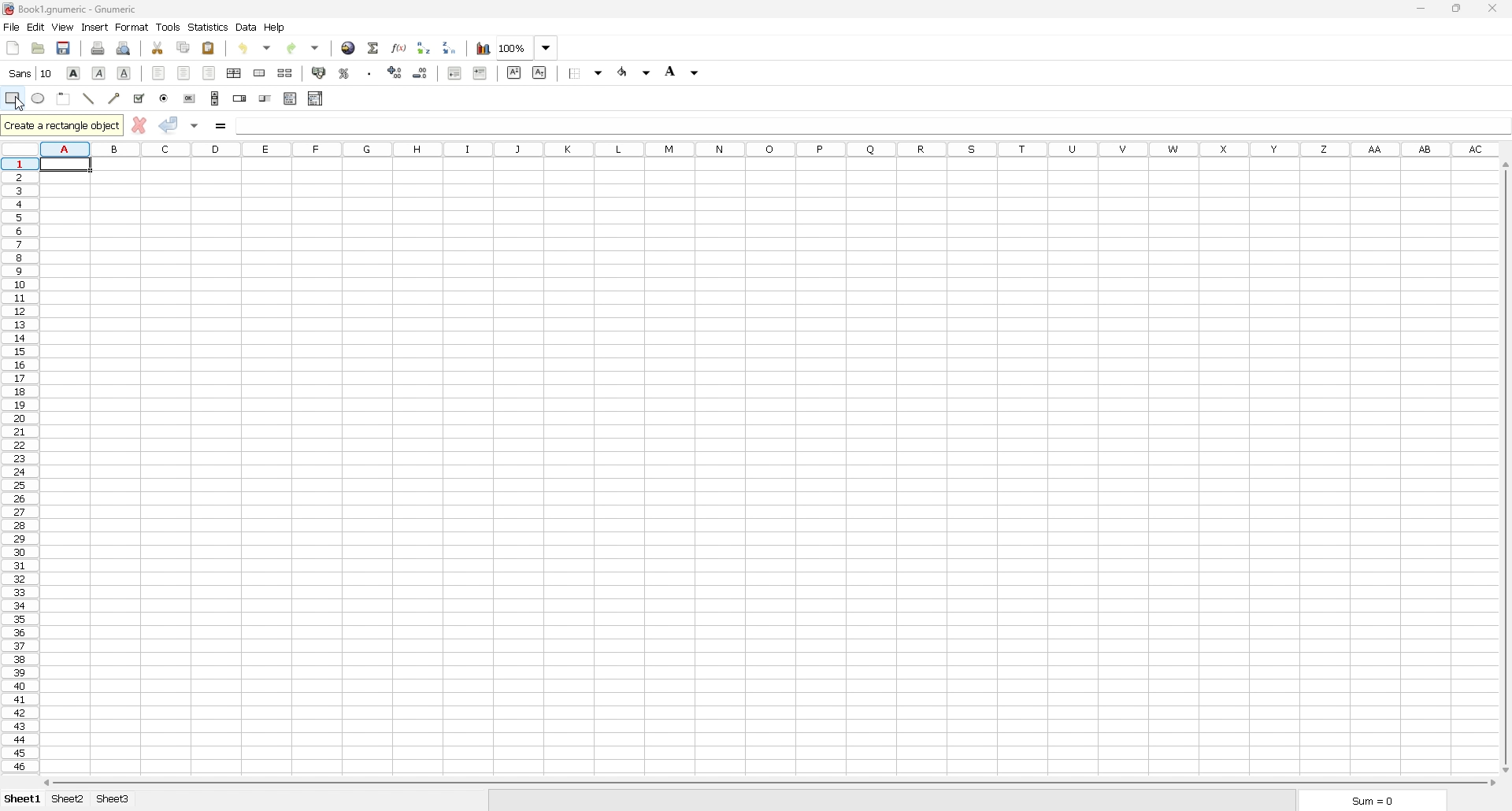  Describe the element at coordinates (265, 99) in the screenshot. I see `slider` at that location.